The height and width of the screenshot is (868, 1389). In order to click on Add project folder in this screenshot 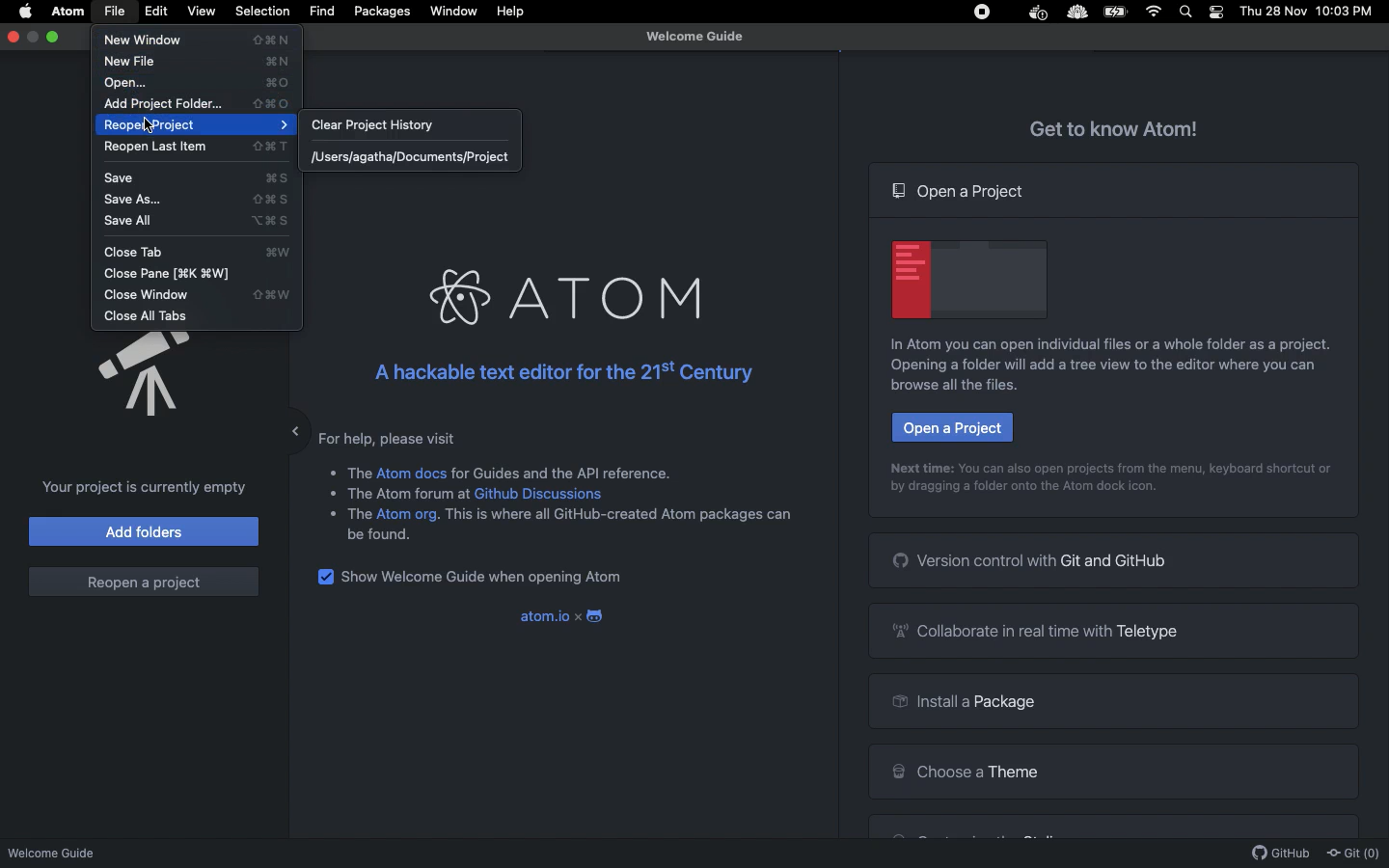, I will do `click(197, 104)`.